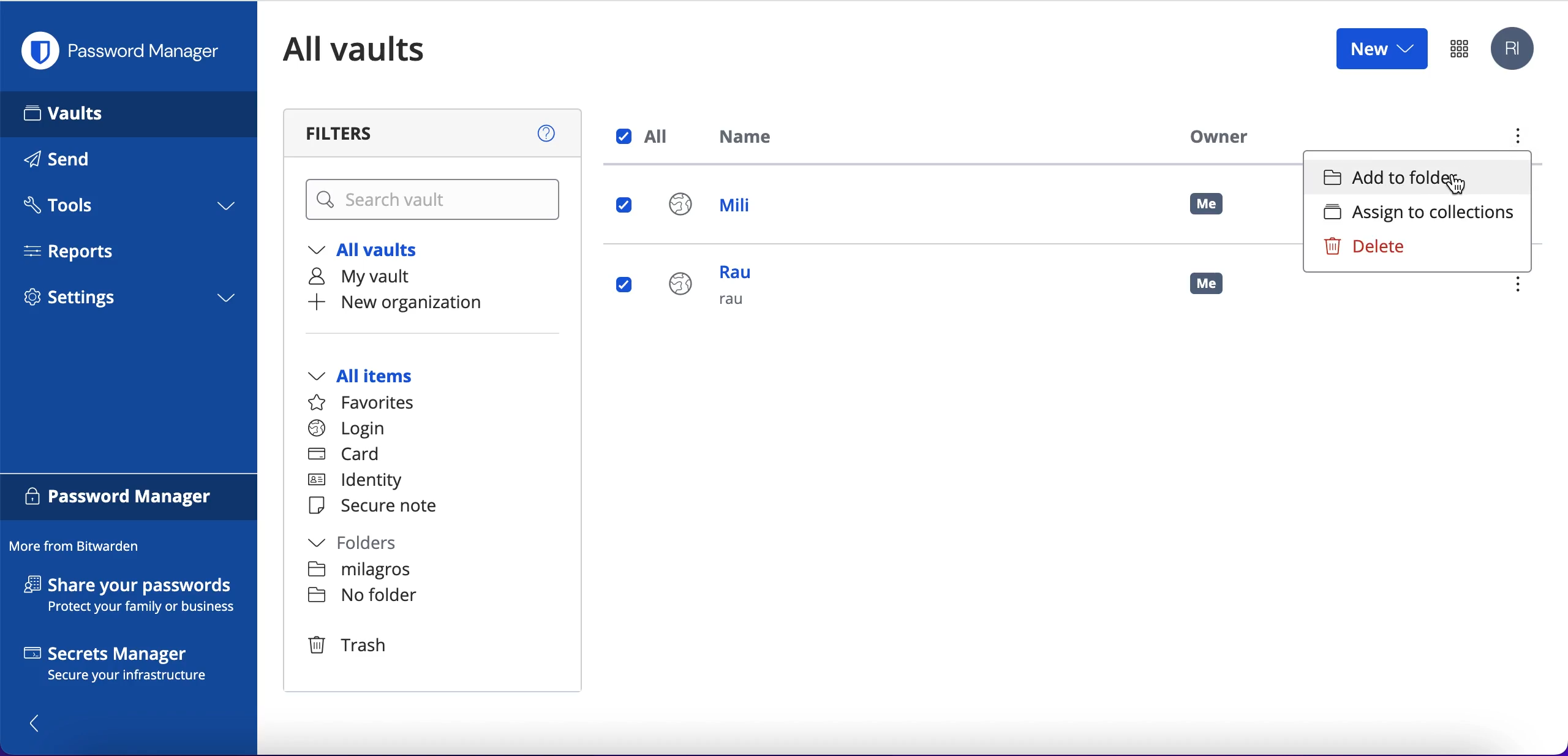 The image size is (1568, 756). What do you see at coordinates (625, 206) in the screenshot?
I see `select login mili` at bounding box center [625, 206].